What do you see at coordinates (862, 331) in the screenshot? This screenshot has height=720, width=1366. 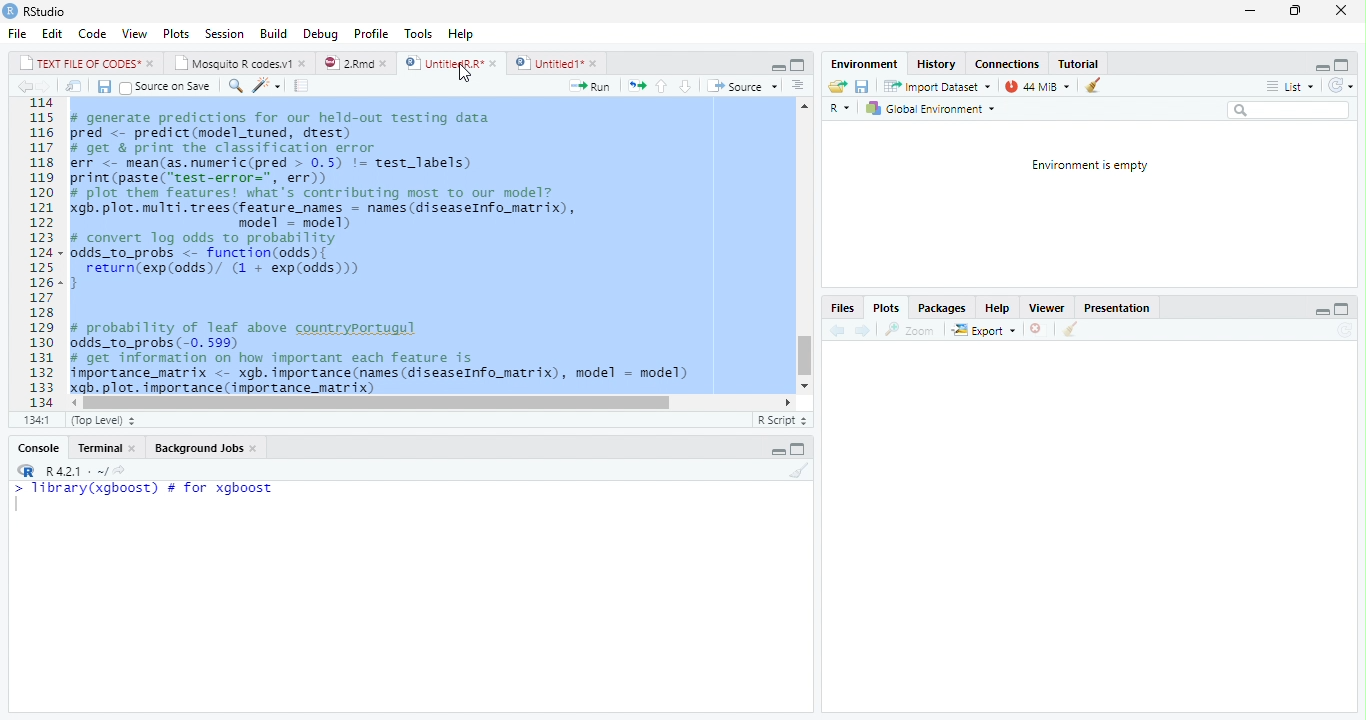 I see `Next` at bounding box center [862, 331].